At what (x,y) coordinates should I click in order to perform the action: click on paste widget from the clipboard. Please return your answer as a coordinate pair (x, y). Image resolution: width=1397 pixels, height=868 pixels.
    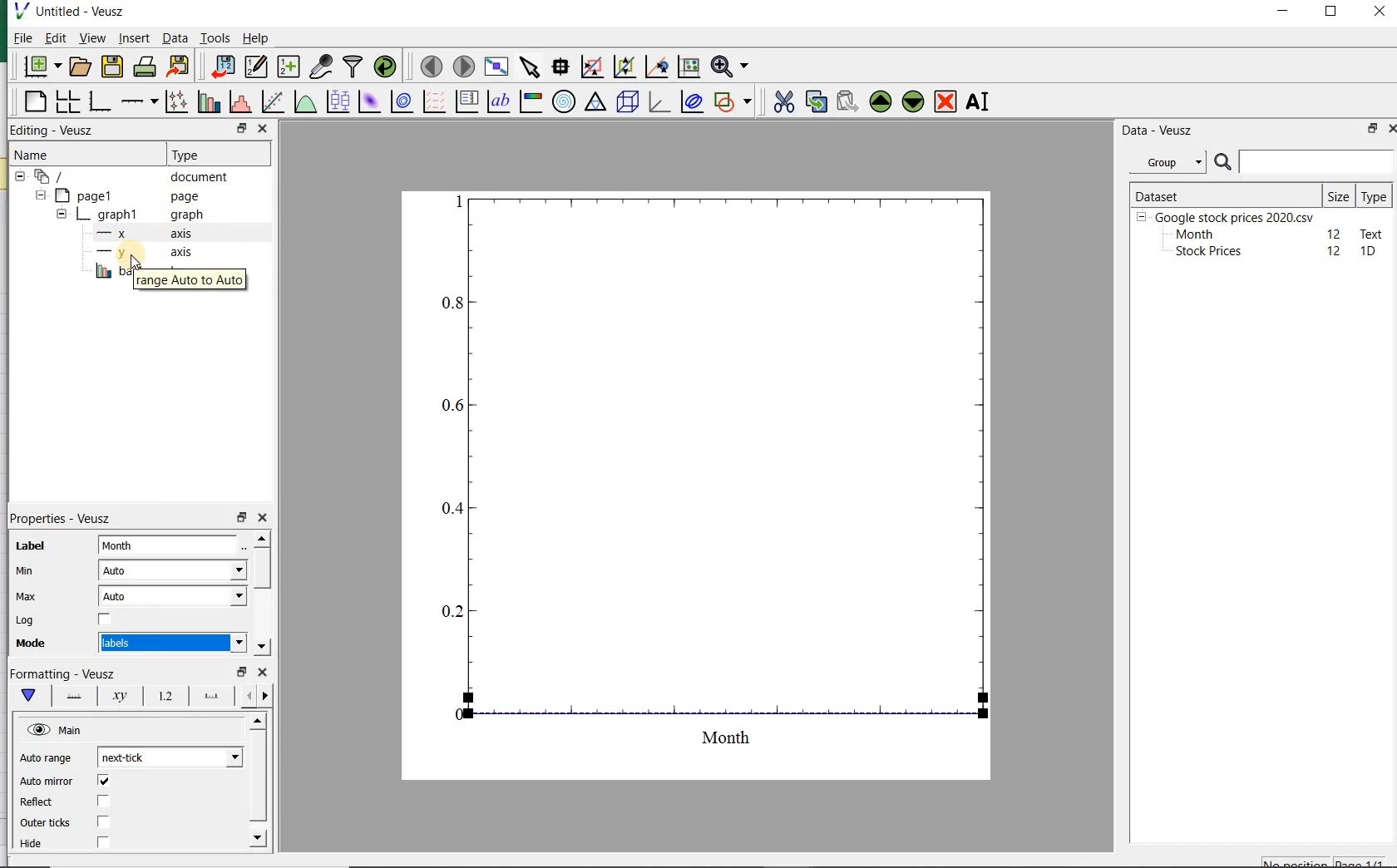
    Looking at the image, I should click on (847, 102).